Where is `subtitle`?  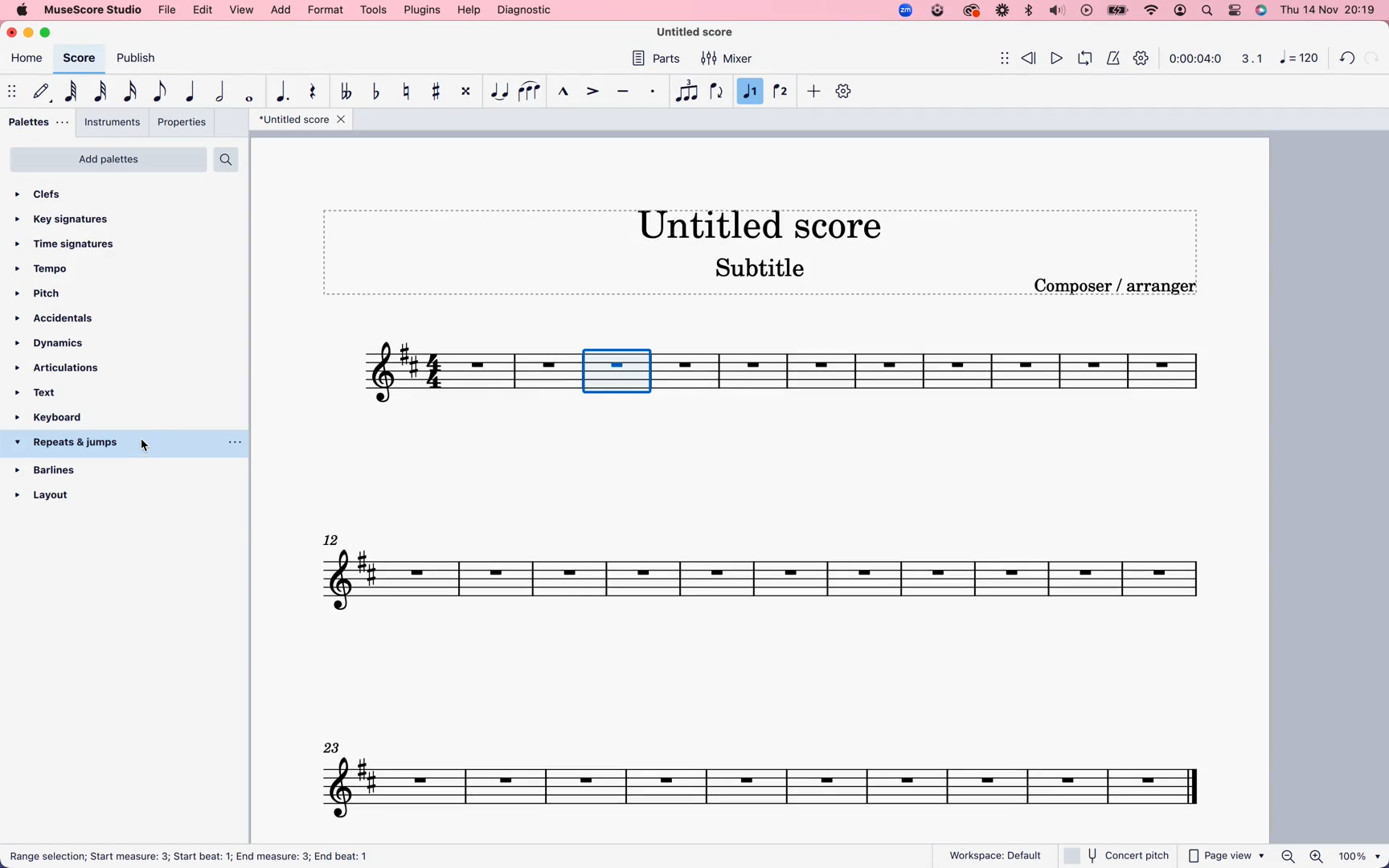 subtitle is located at coordinates (762, 270).